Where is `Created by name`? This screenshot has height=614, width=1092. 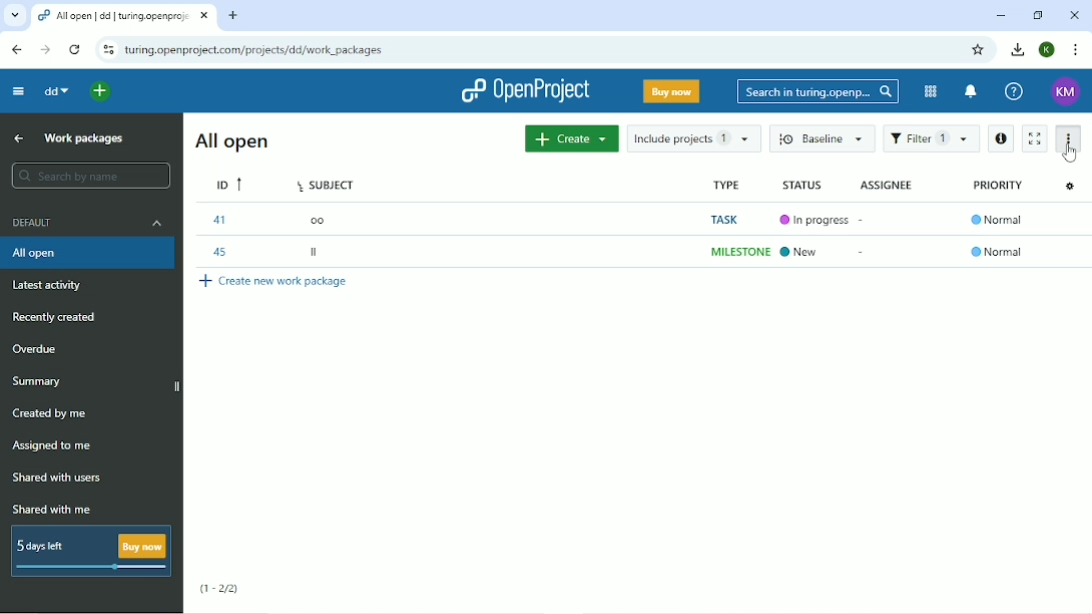 Created by name is located at coordinates (51, 413).